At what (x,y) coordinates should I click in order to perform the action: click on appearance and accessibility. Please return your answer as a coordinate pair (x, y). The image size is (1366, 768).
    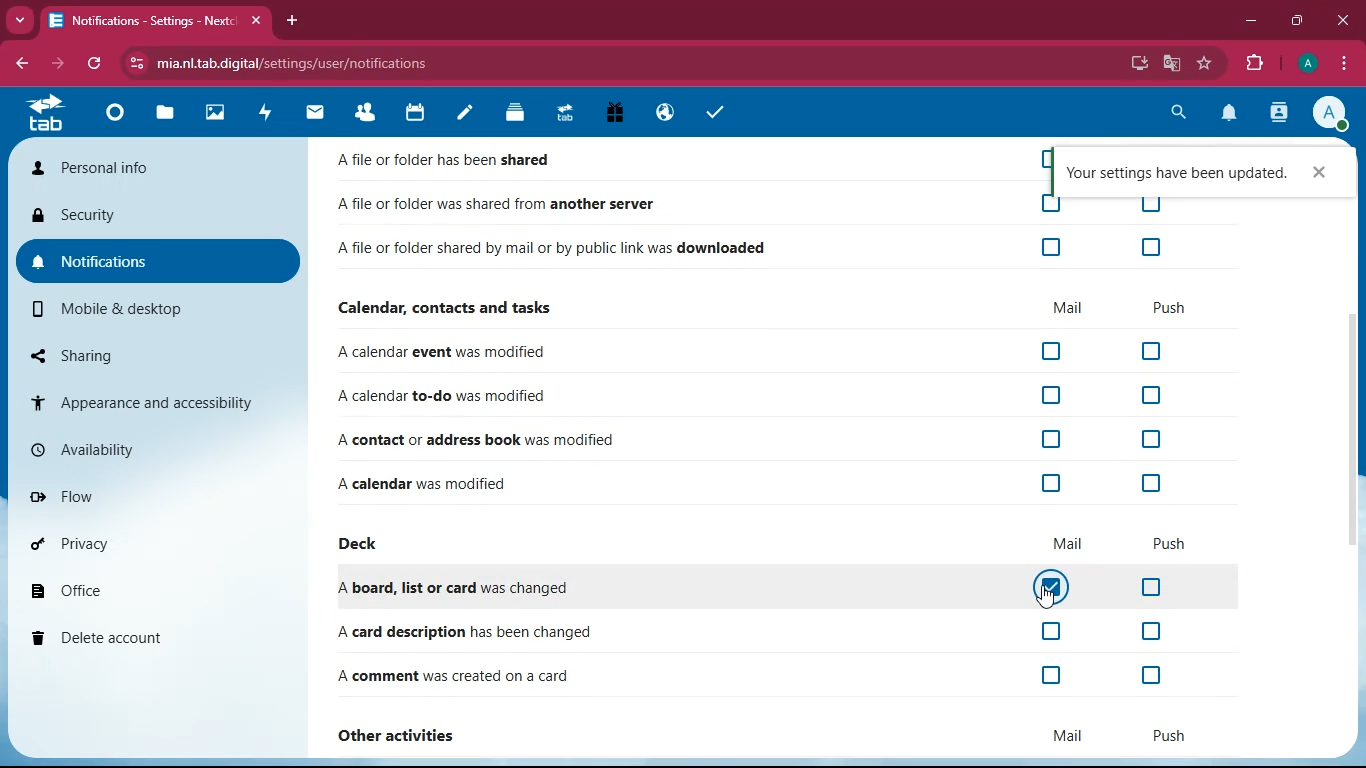
    Looking at the image, I should click on (155, 403).